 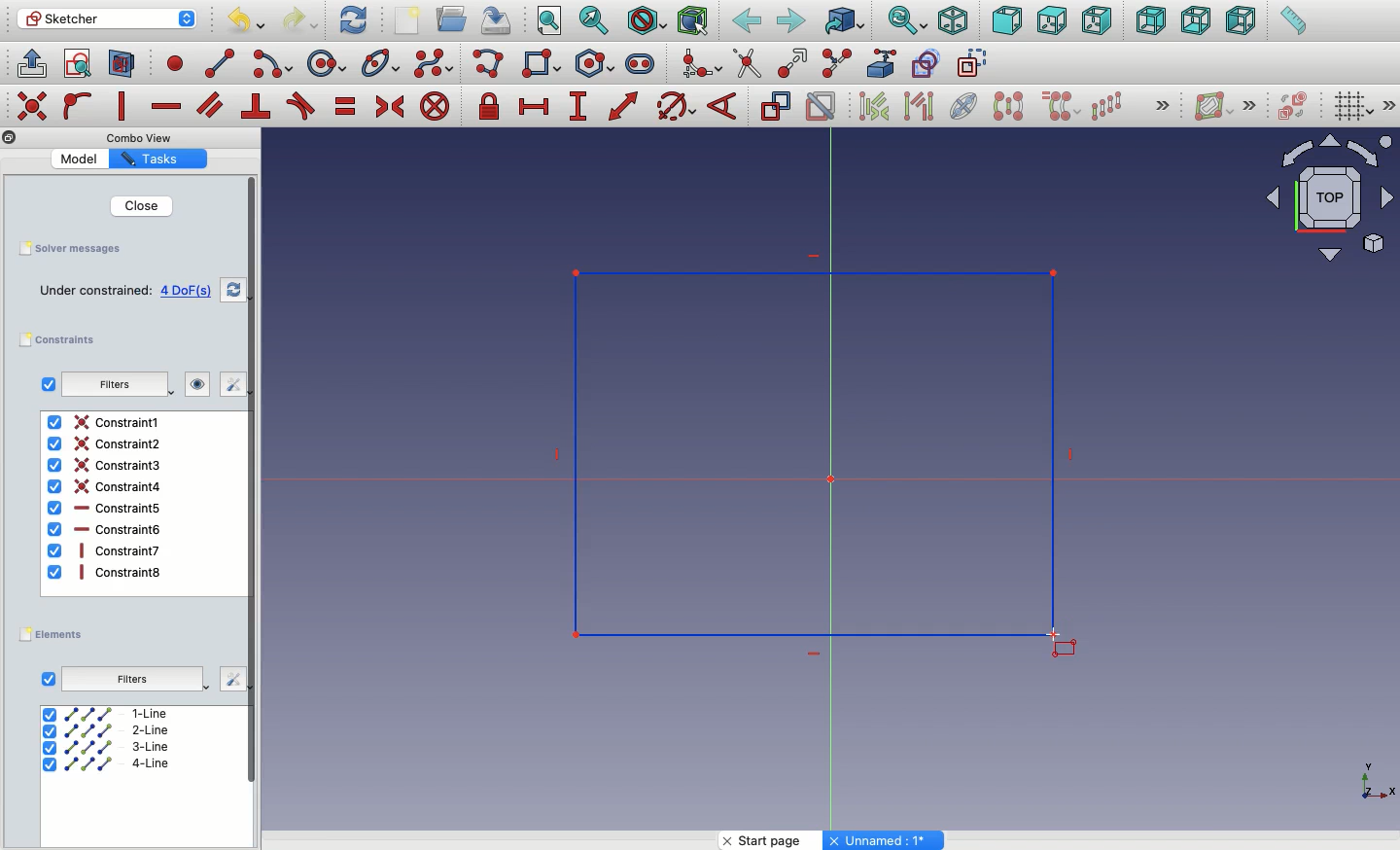 What do you see at coordinates (221, 63) in the screenshot?
I see `line` at bounding box center [221, 63].